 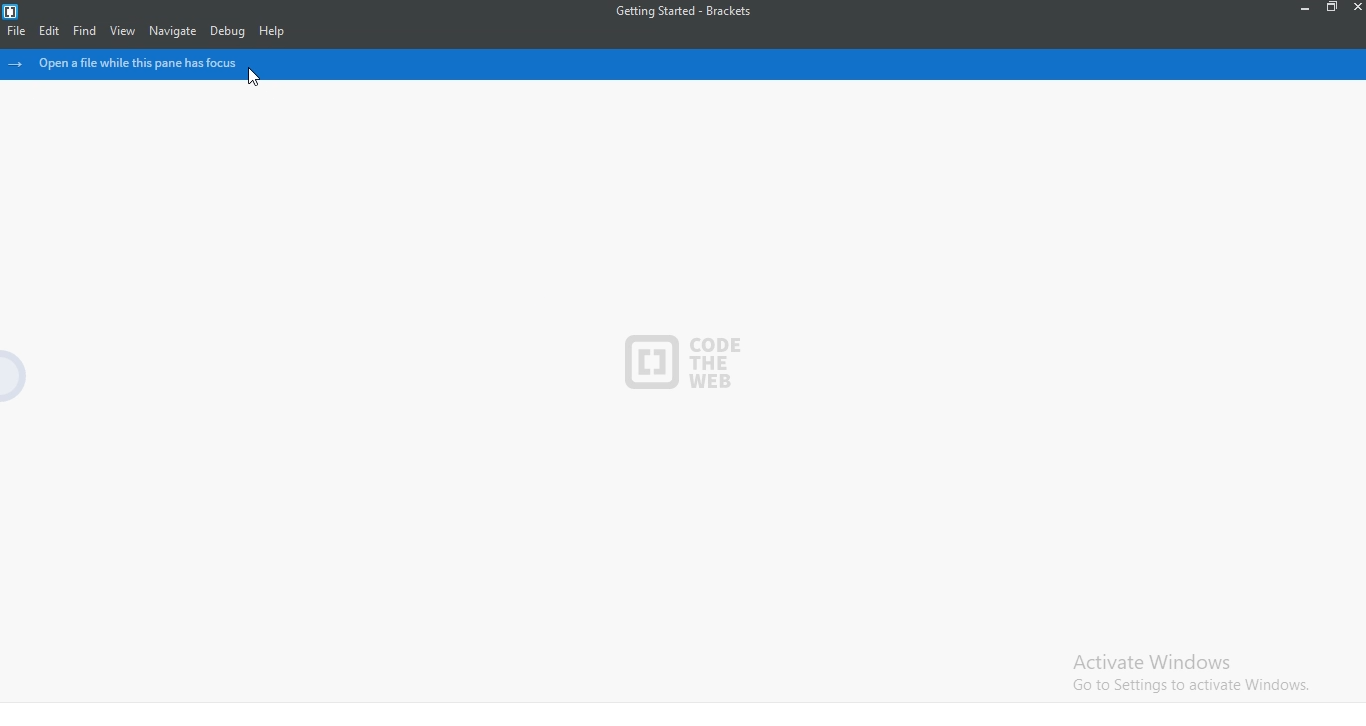 I want to click on Edit, so click(x=49, y=32).